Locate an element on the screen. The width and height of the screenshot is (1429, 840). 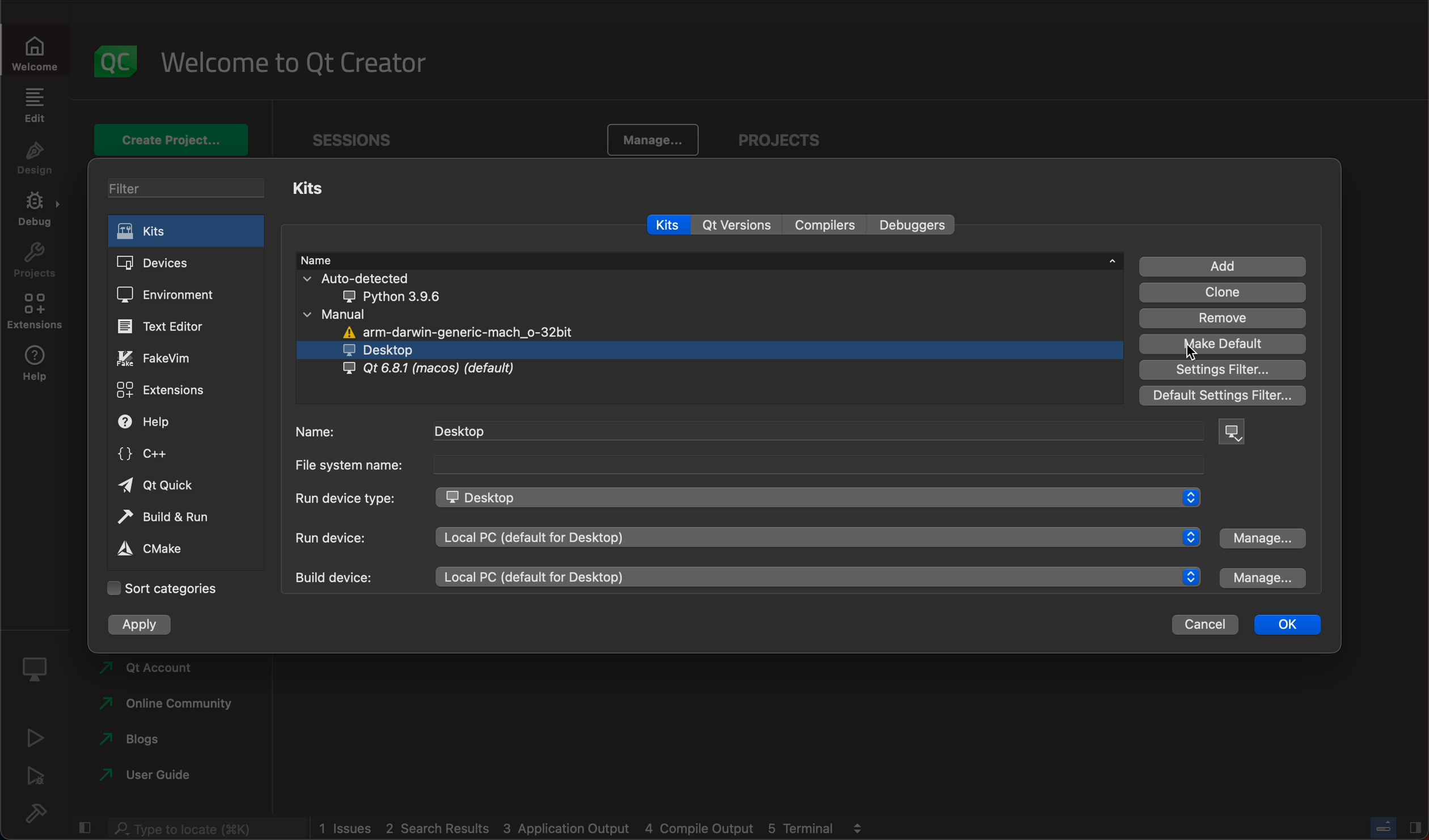
Qt 6.8.1 (macos) (default) is located at coordinates (433, 370).